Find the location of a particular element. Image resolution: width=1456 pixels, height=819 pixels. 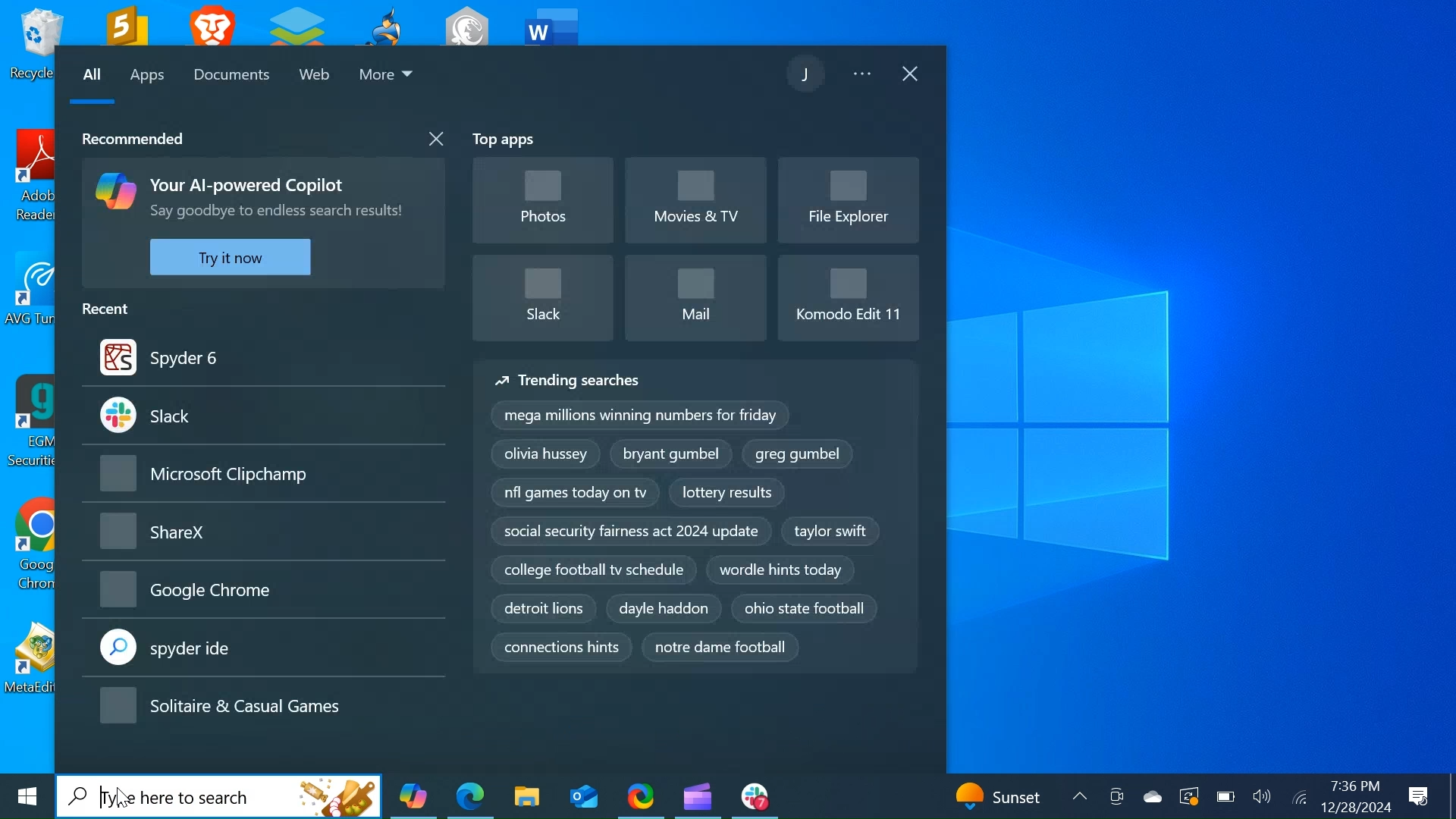

Spyder 6  is located at coordinates (262, 356).